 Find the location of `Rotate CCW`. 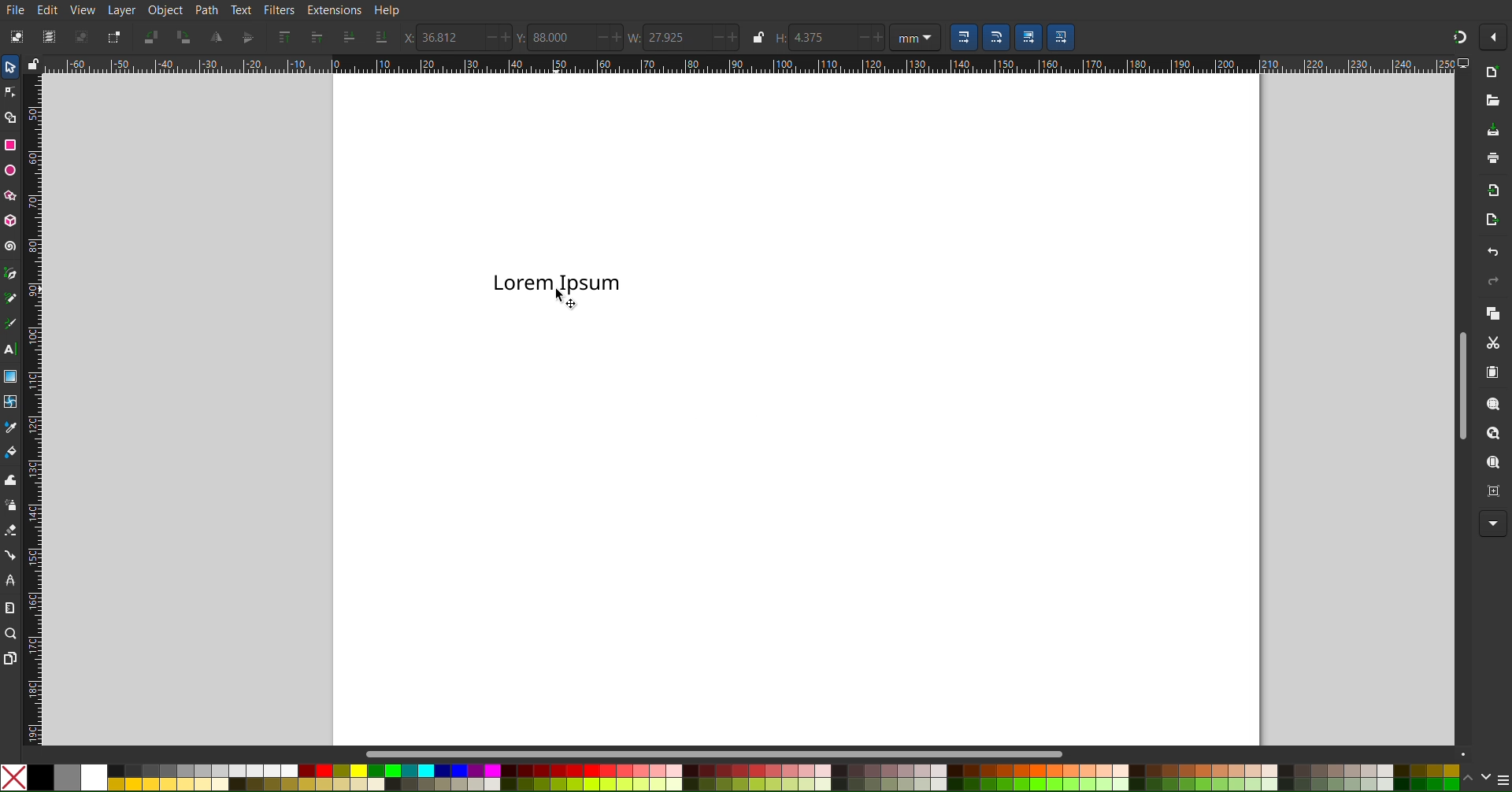

Rotate CCW is located at coordinates (153, 36).